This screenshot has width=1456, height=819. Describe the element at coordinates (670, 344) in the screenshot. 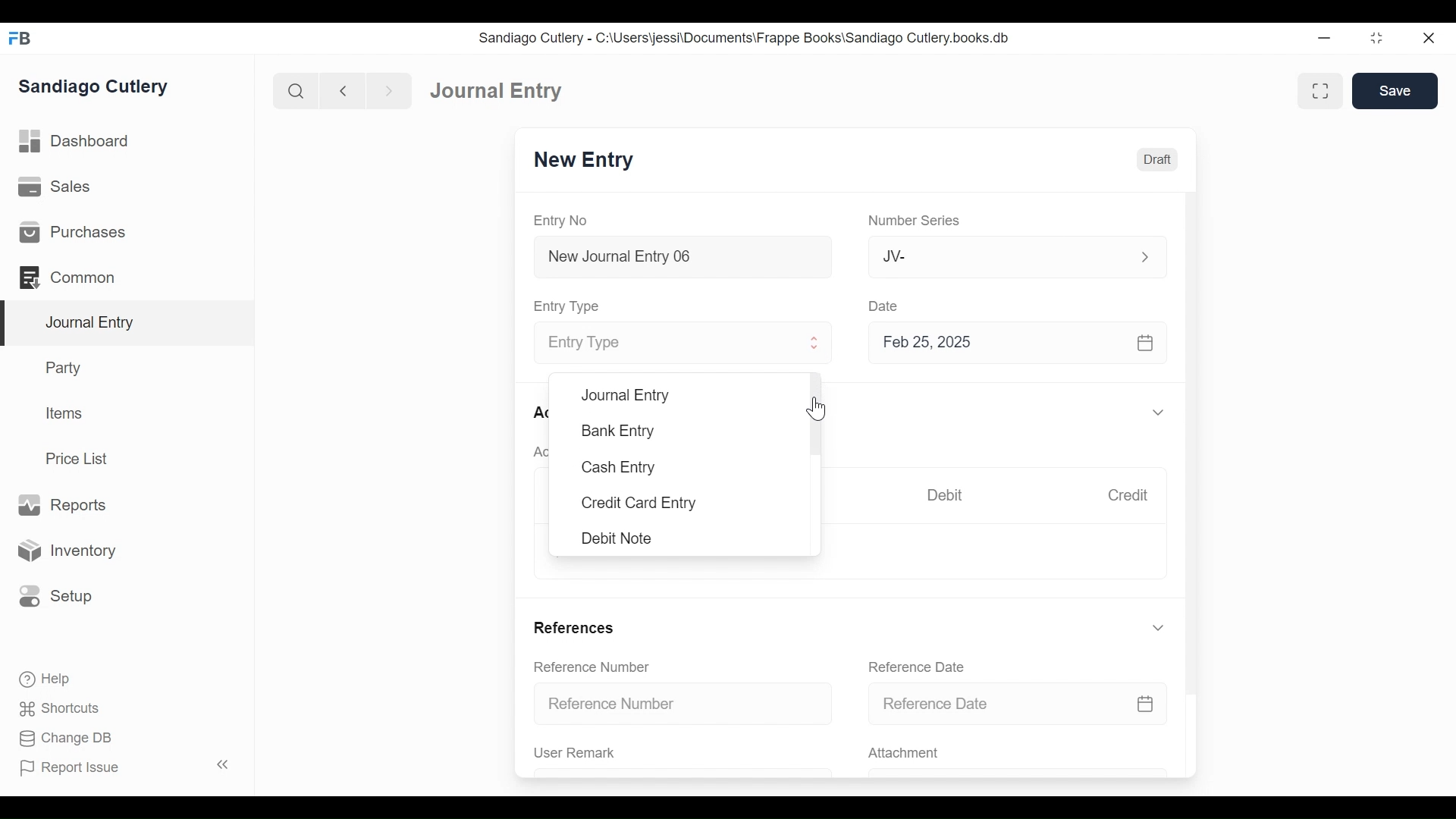

I see `Entry Type` at that location.